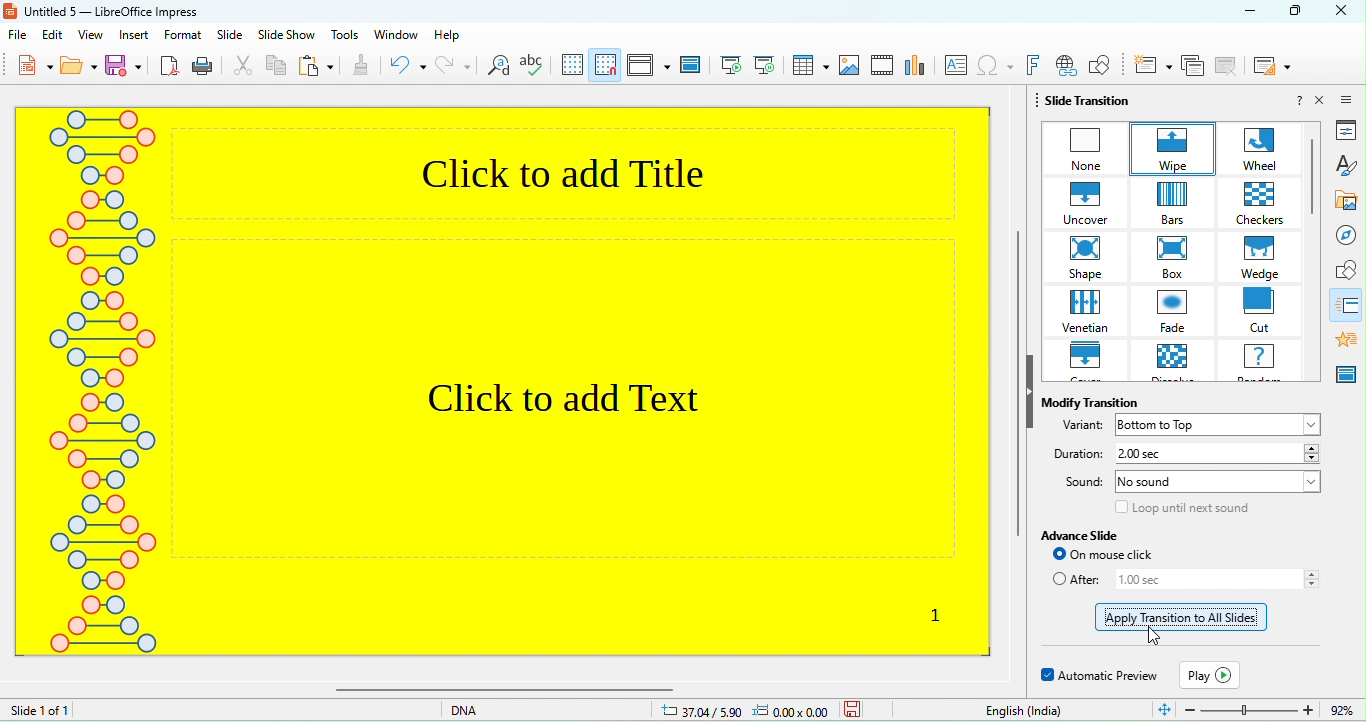 This screenshot has width=1366, height=722. I want to click on slide transitionn, so click(1347, 303).